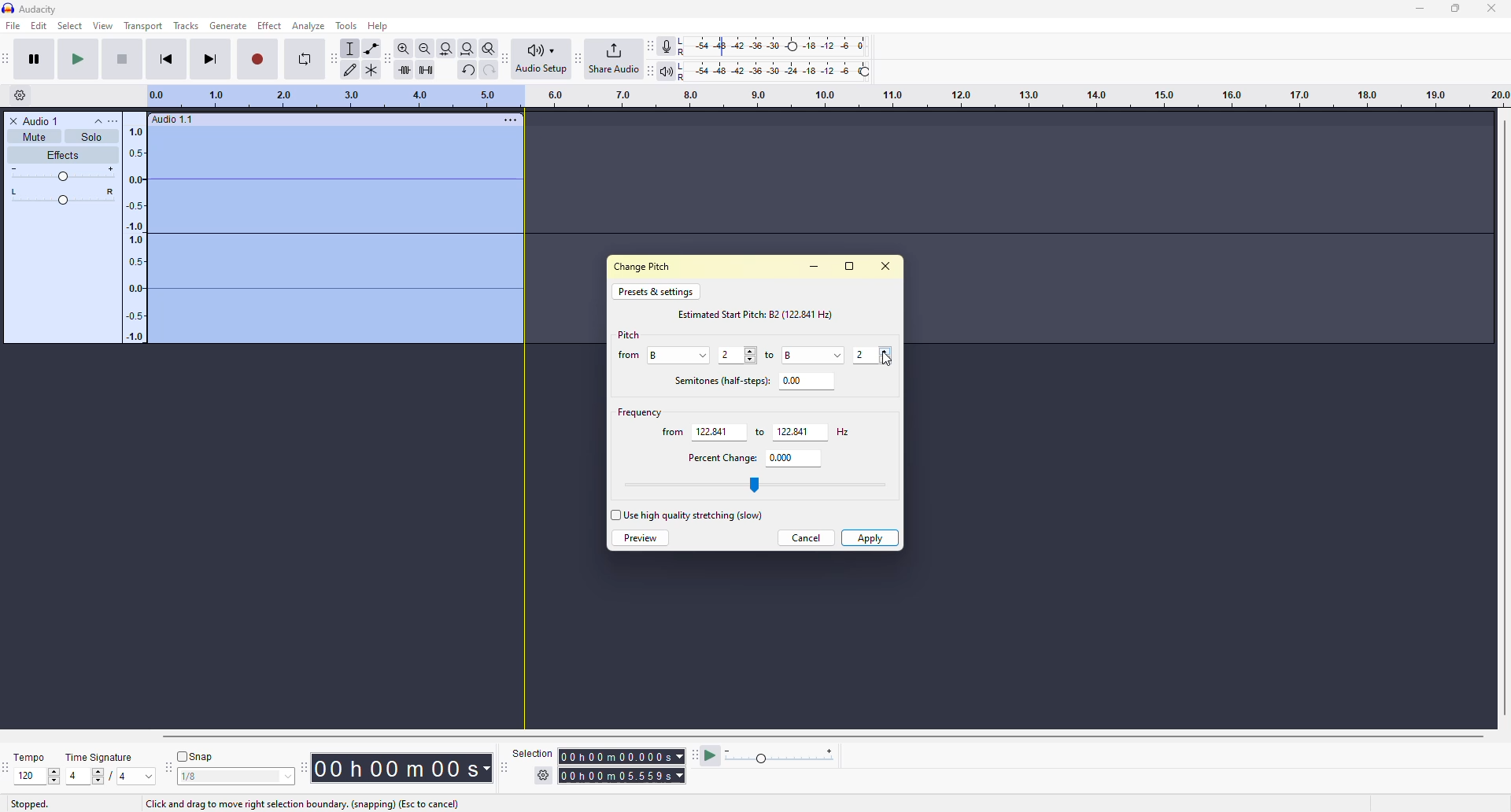 Image resolution: width=1511 pixels, height=812 pixels. I want to click on enable looping, so click(305, 59).